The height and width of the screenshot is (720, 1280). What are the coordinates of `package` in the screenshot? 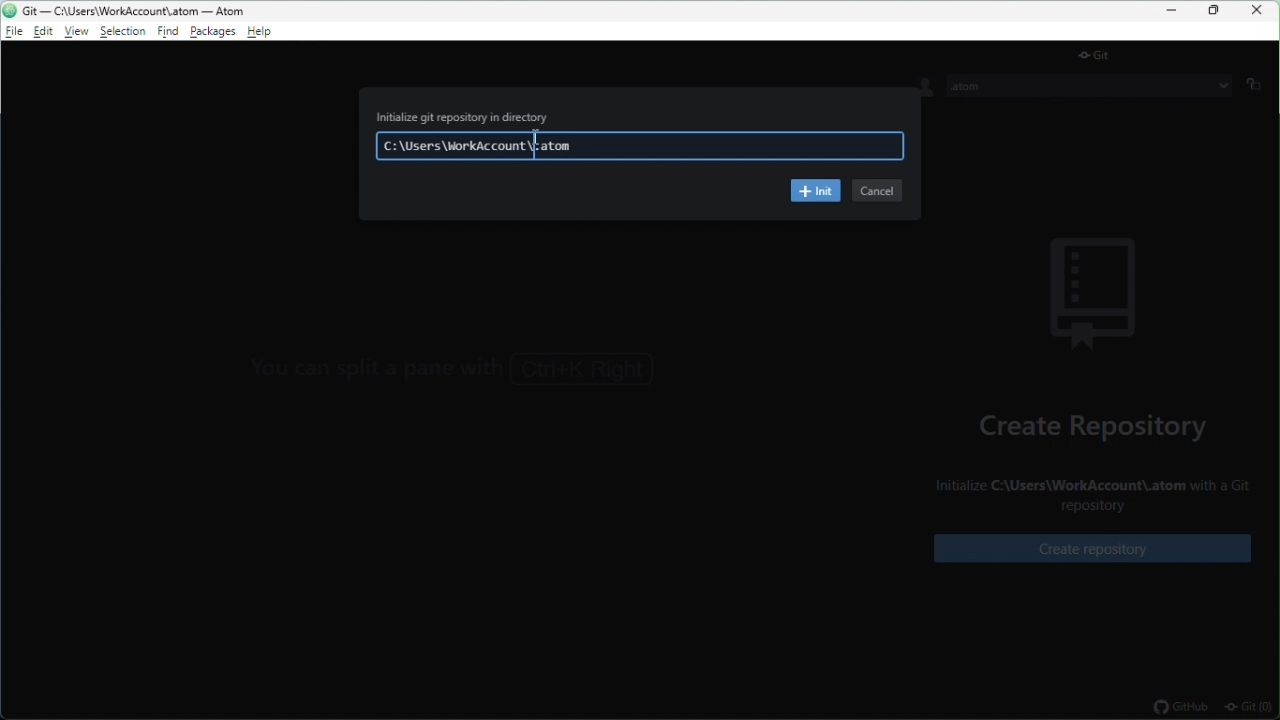 It's located at (213, 32).